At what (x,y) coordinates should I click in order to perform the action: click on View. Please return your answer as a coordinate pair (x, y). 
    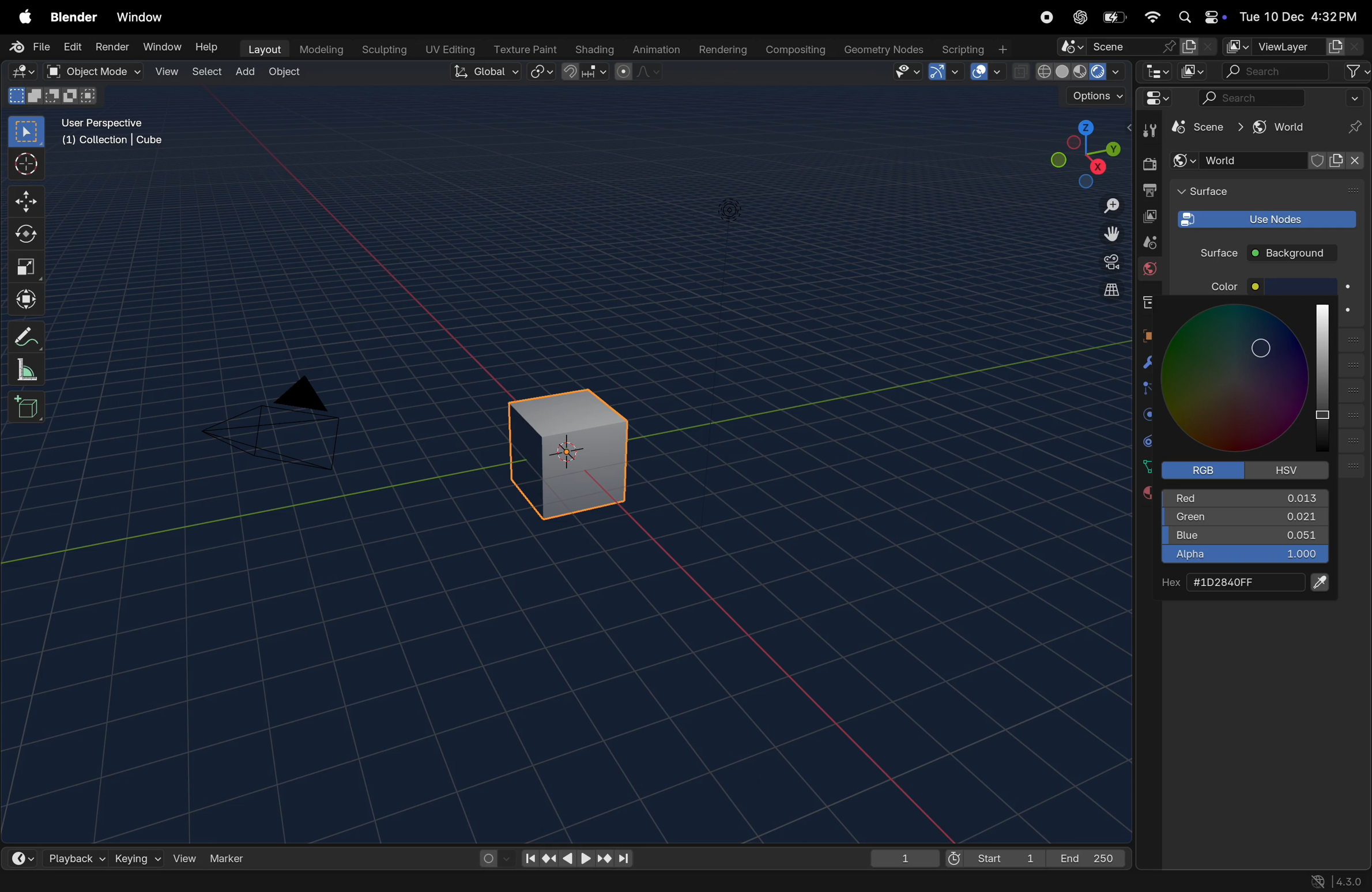
    Looking at the image, I should click on (164, 71).